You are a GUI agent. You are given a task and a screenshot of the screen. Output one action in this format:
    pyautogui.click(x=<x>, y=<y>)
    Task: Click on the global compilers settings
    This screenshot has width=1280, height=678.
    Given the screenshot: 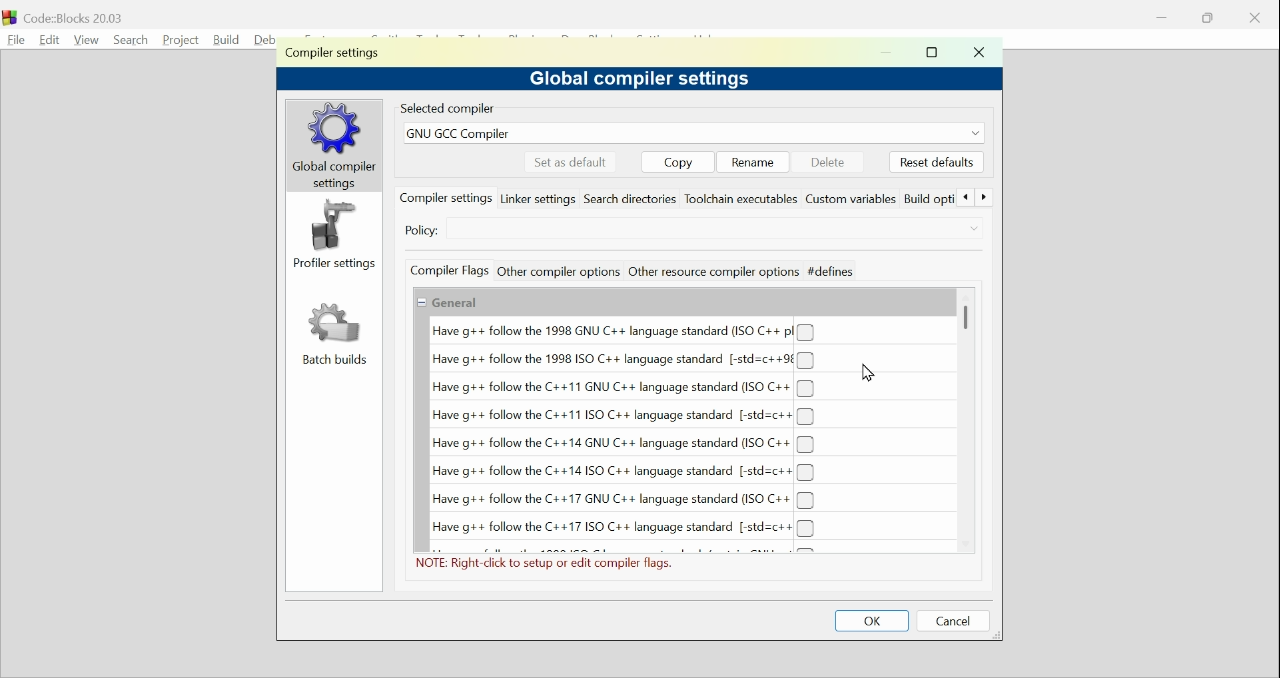 What is the action you would take?
    pyautogui.click(x=336, y=146)
    